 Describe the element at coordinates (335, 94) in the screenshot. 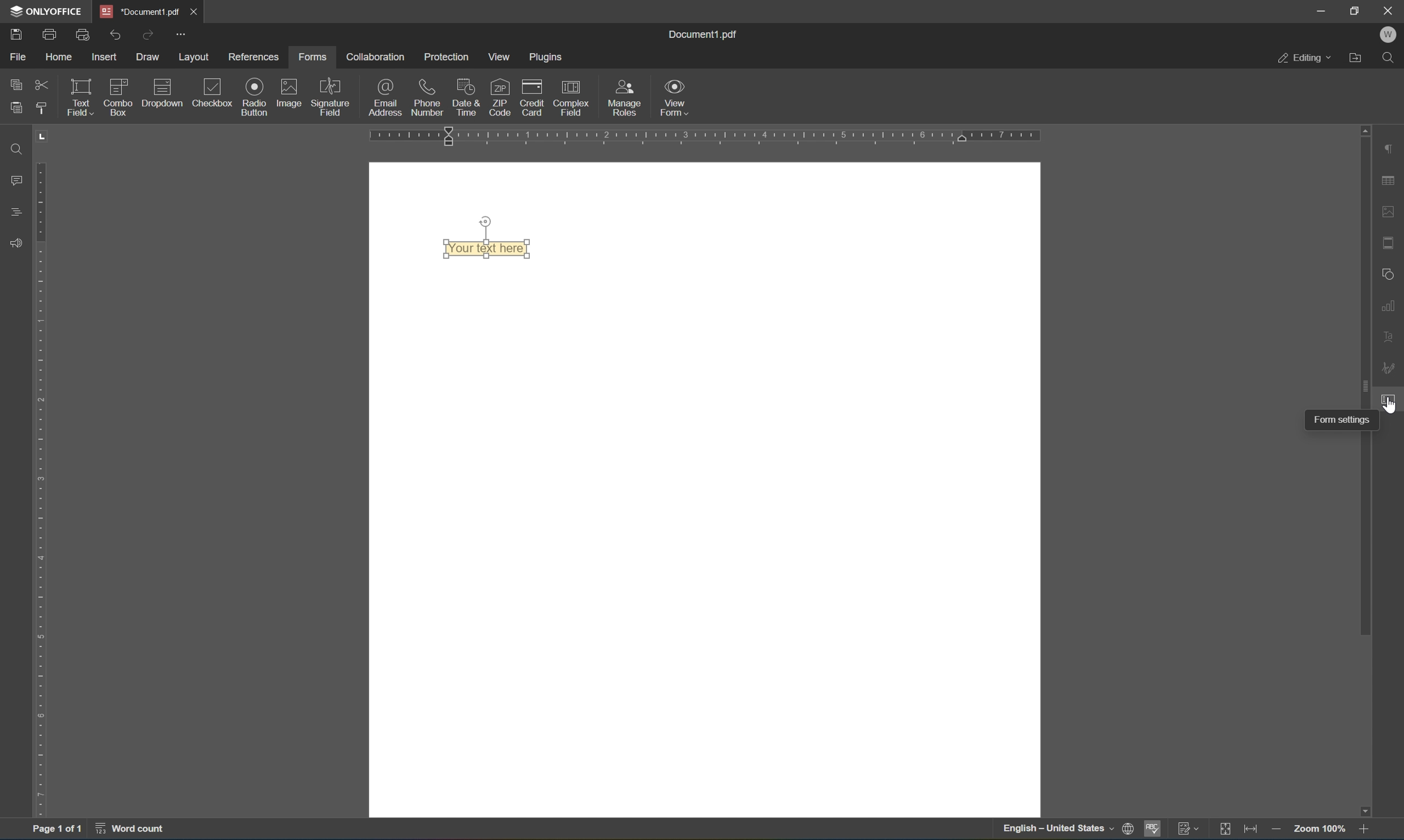

I see `signature field` at that location.